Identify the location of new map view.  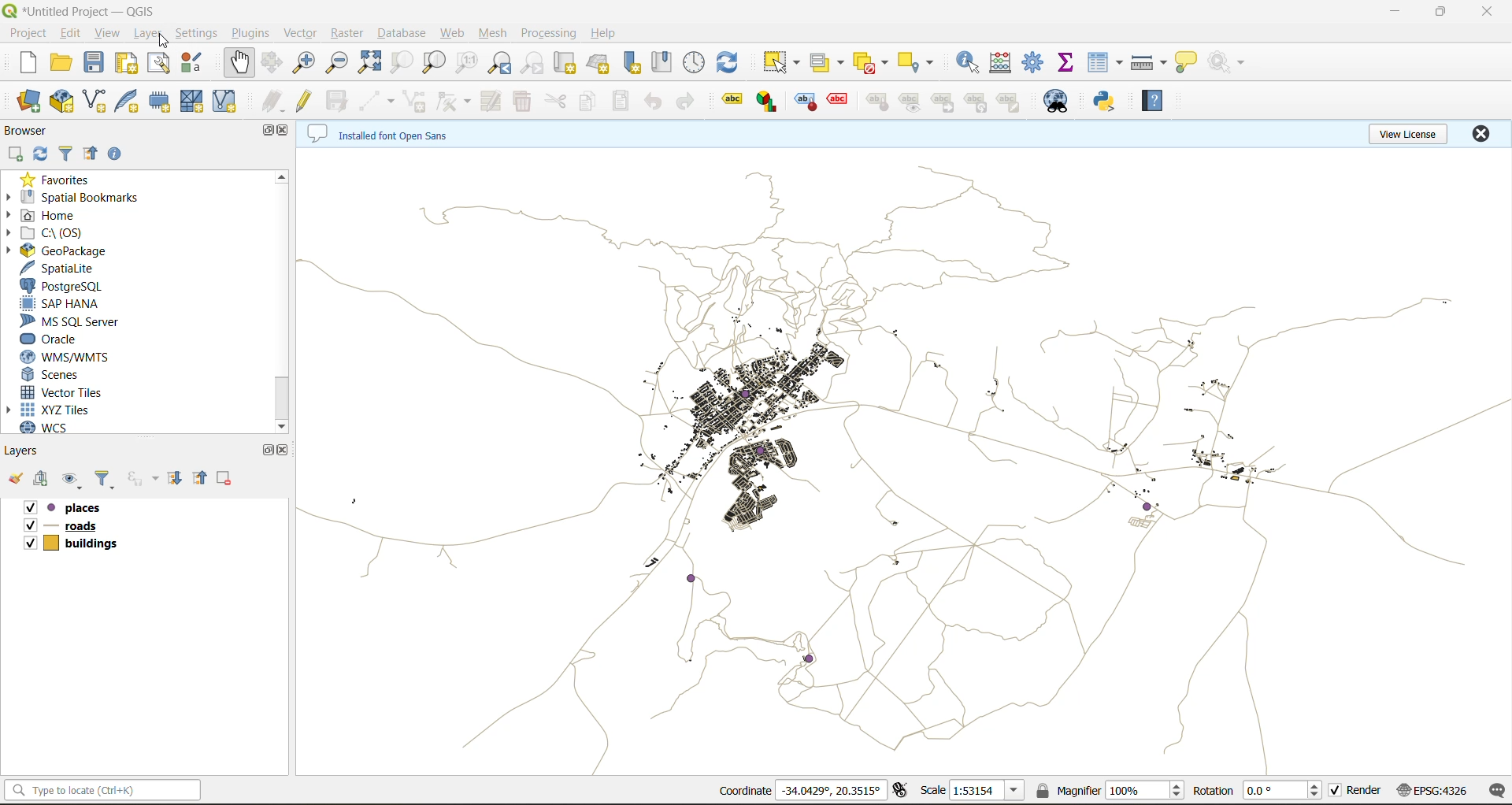
(565, 64).